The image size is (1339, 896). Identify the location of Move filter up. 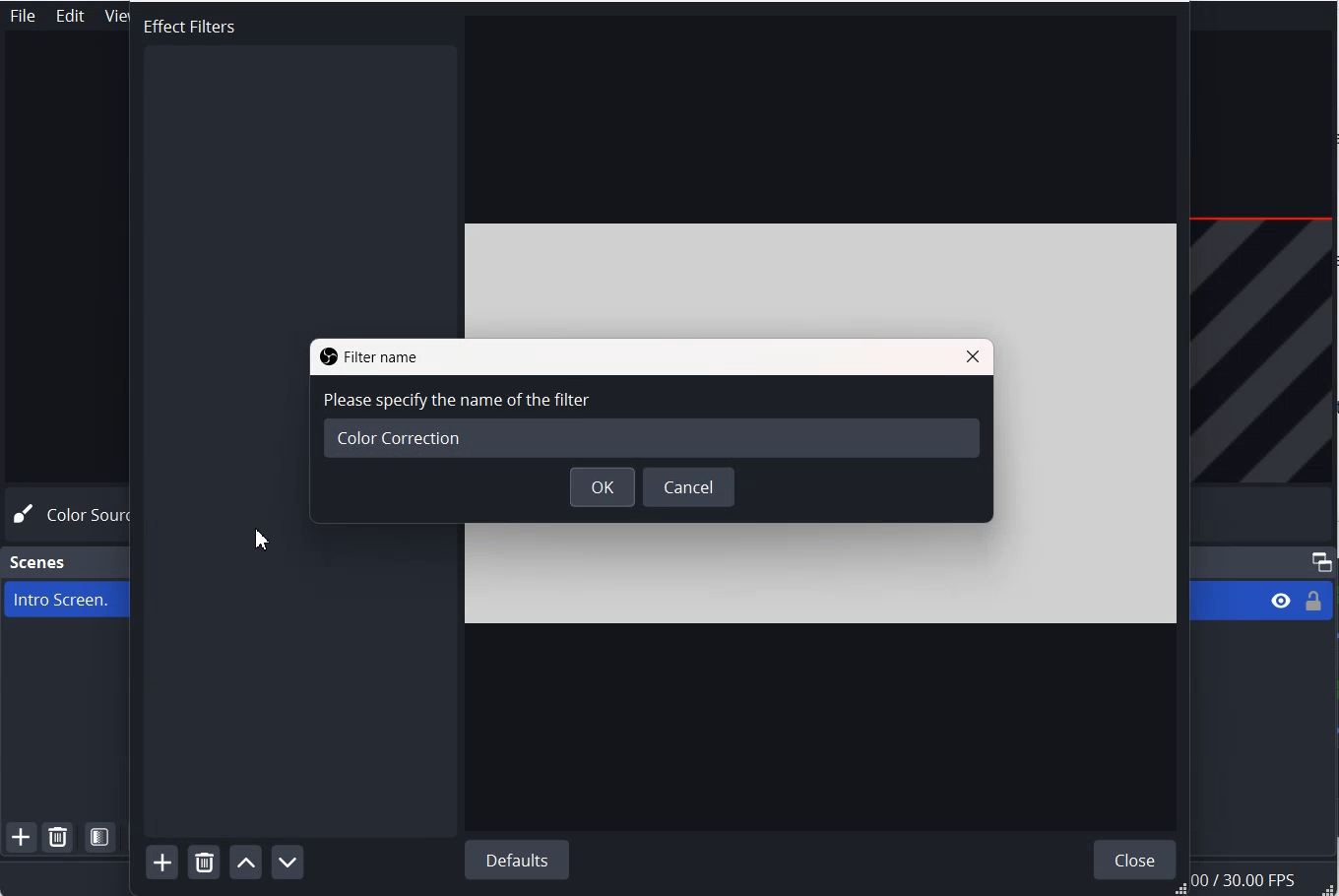
(245, 861).